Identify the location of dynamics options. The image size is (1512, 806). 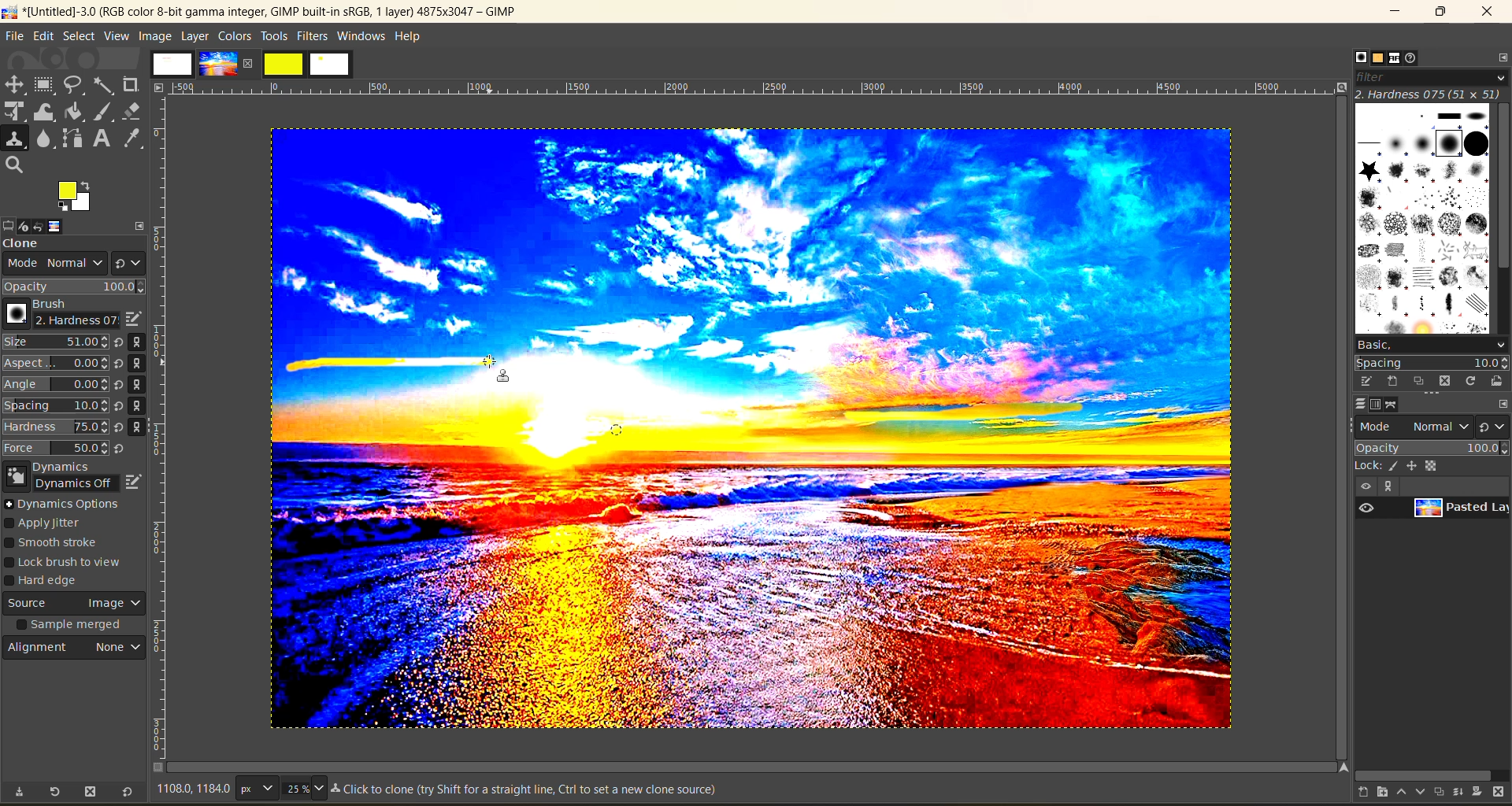
(67, 504).